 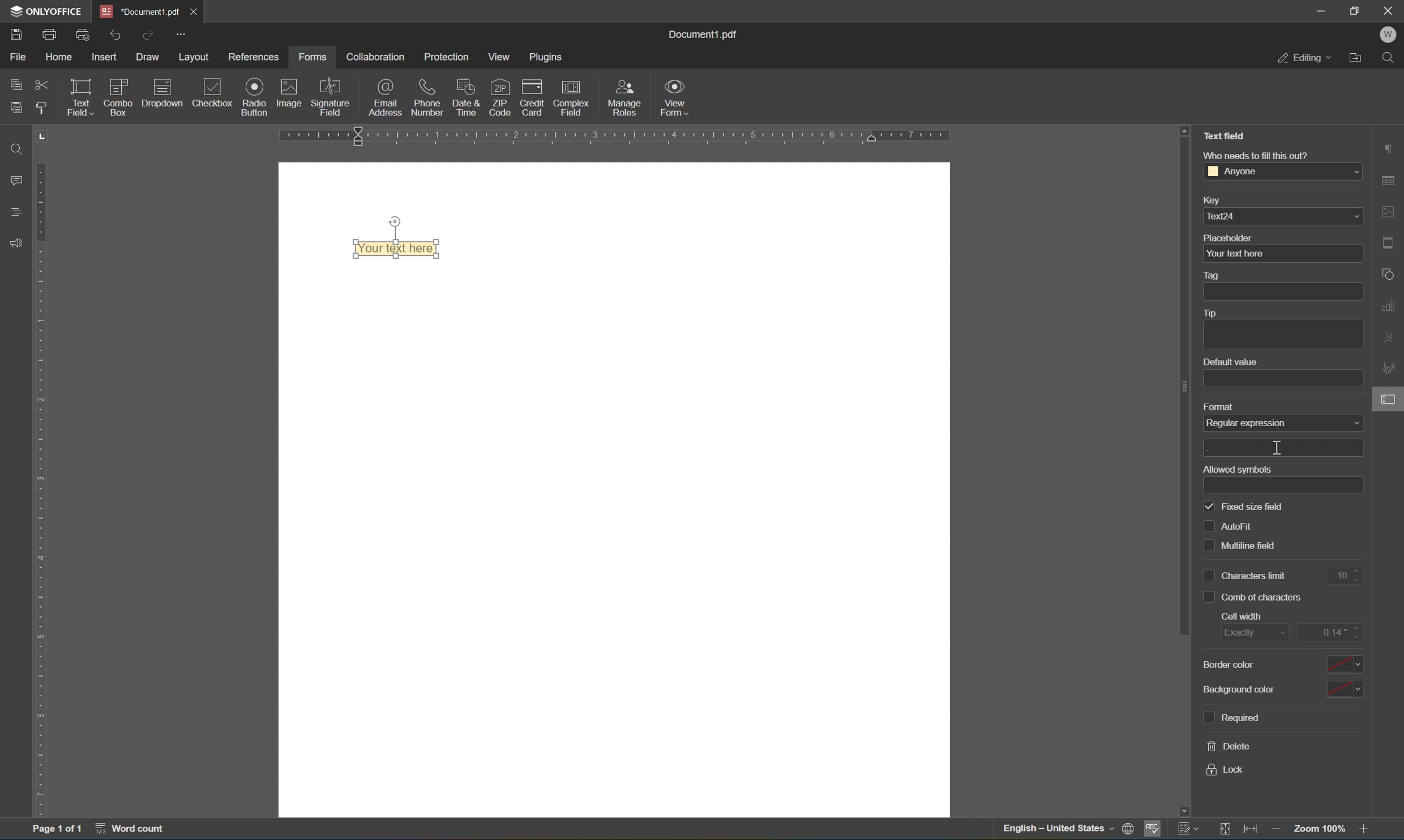 What do you see at coordinates (256, 96) in the screenshot?
I see `radio button` at bounding box center [256, 96].